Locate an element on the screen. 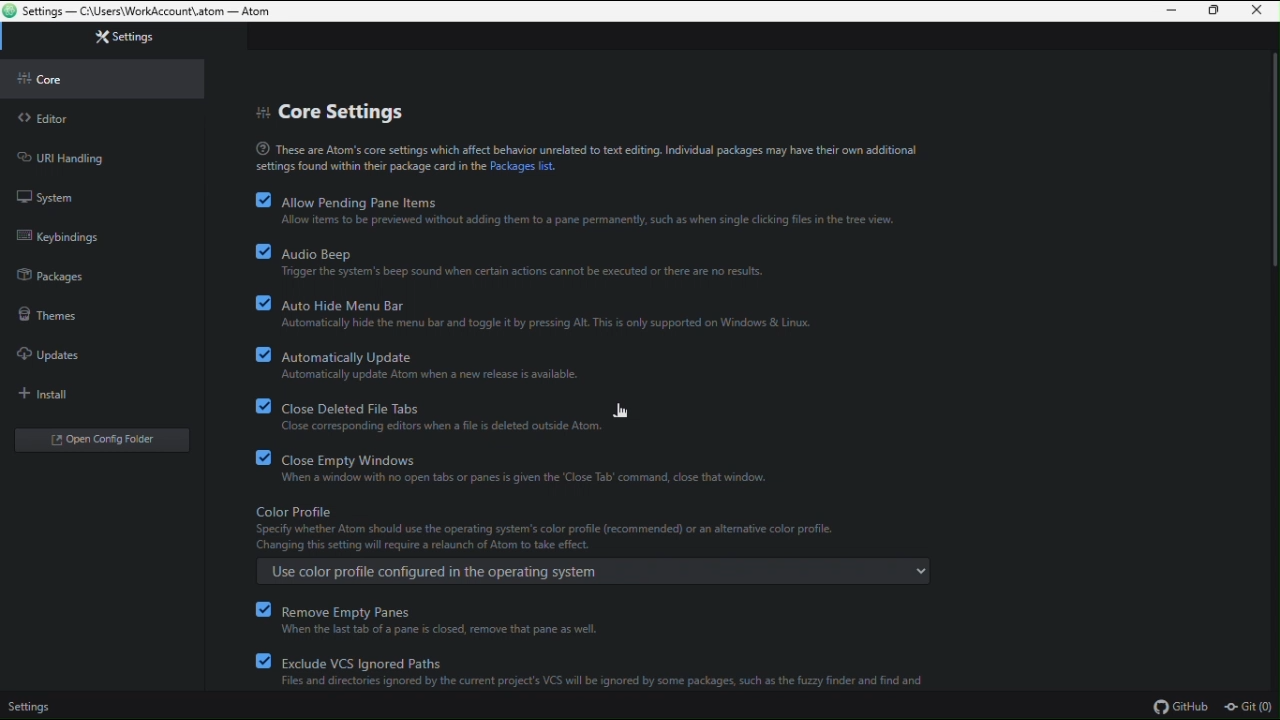  themes is located at coordinates (66, 311).